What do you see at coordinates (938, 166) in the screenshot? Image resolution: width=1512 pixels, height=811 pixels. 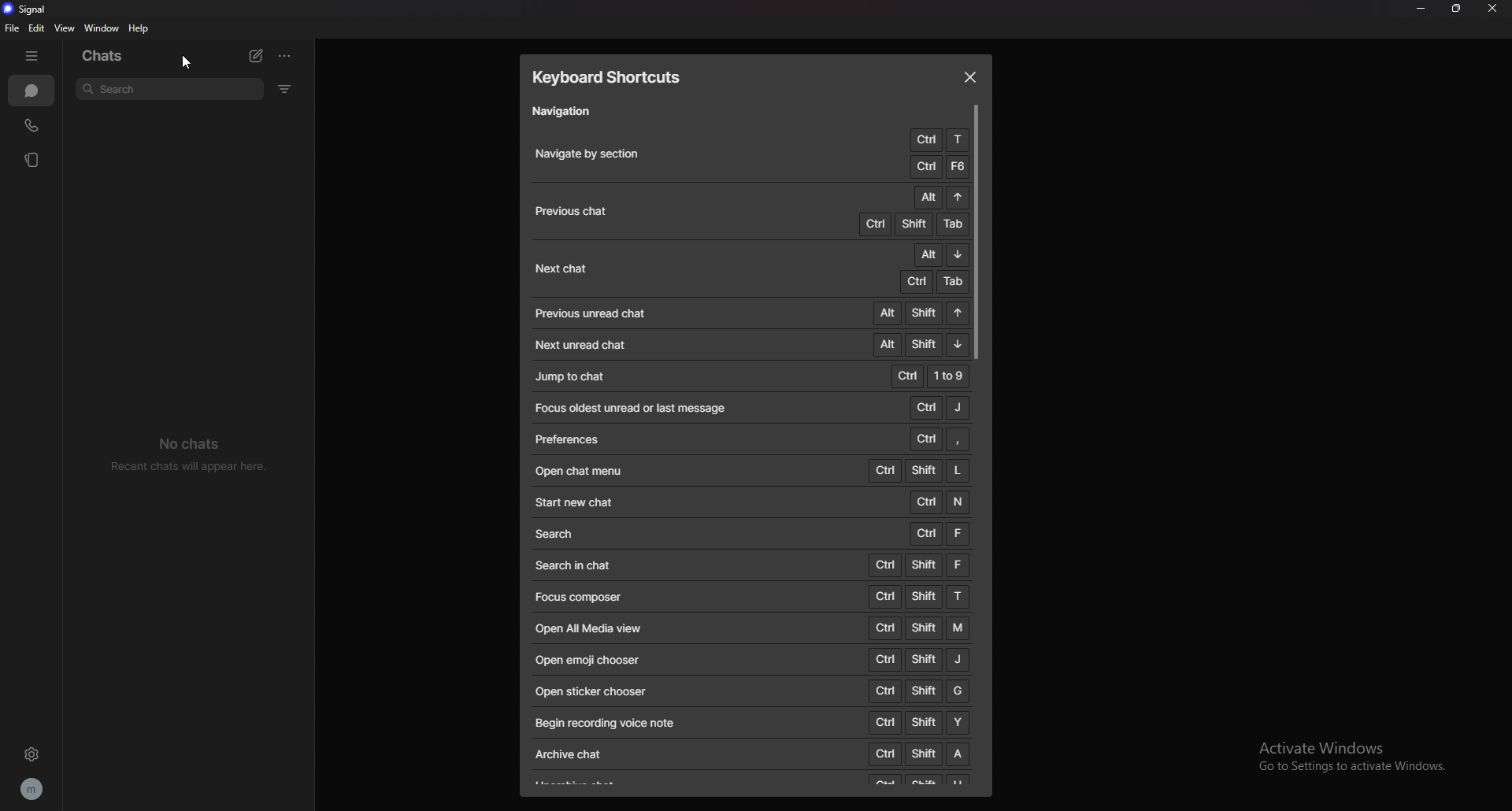 I see `CTRL + F6` at bounding box center [938, 166].